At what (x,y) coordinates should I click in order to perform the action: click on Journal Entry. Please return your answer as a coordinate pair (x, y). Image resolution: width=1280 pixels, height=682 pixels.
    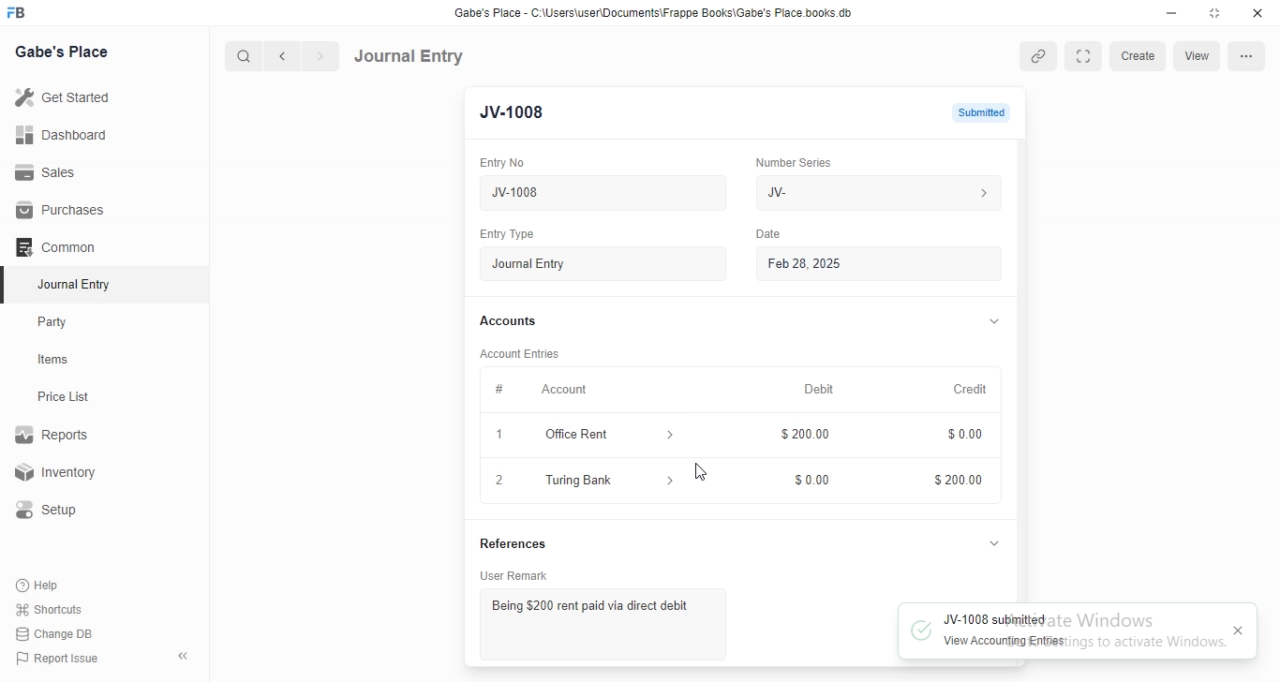
    Looking at the image, I should click on (604, 266).